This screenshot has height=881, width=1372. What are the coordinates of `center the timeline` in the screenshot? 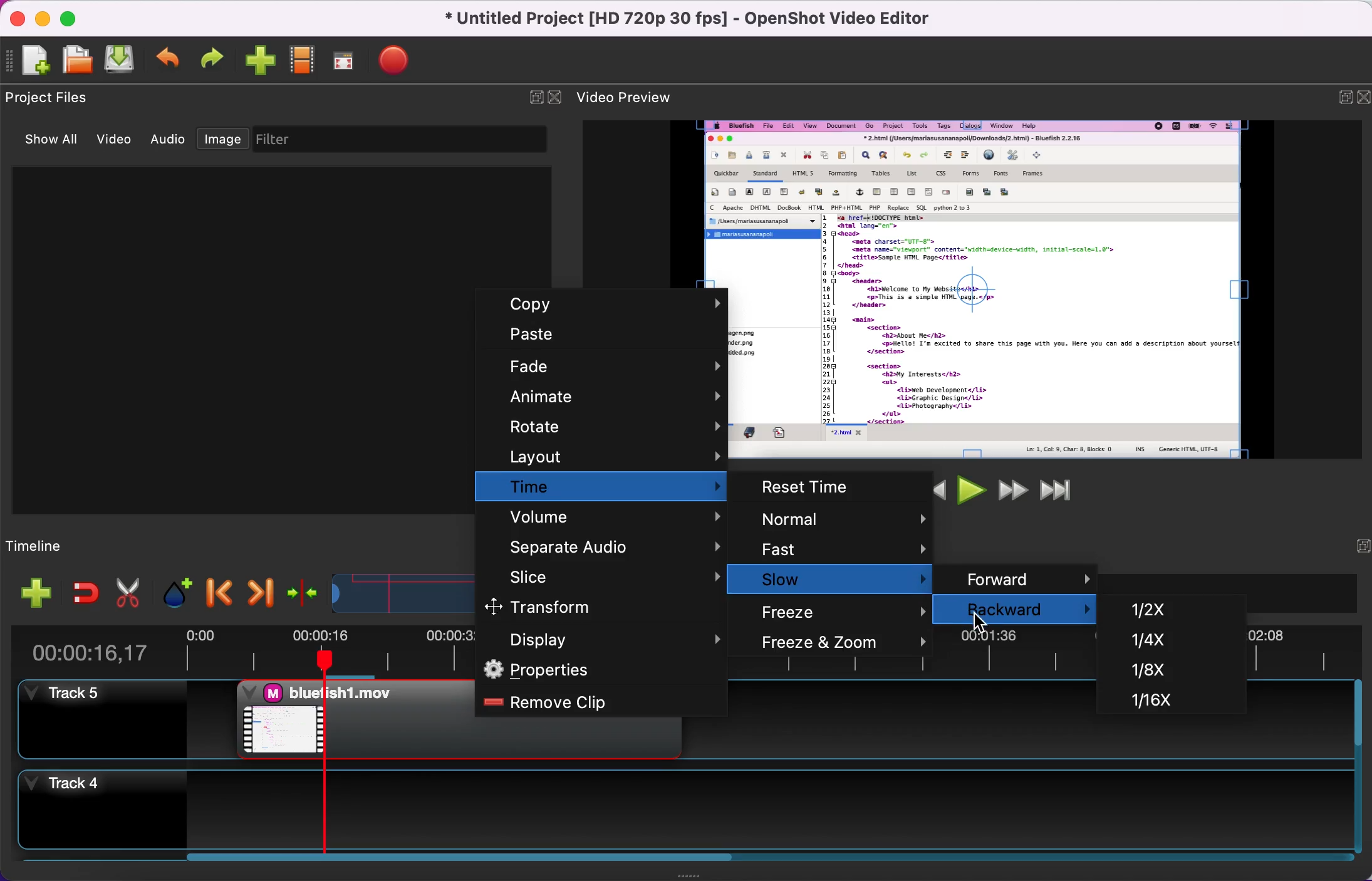 It's located at (299, 589).